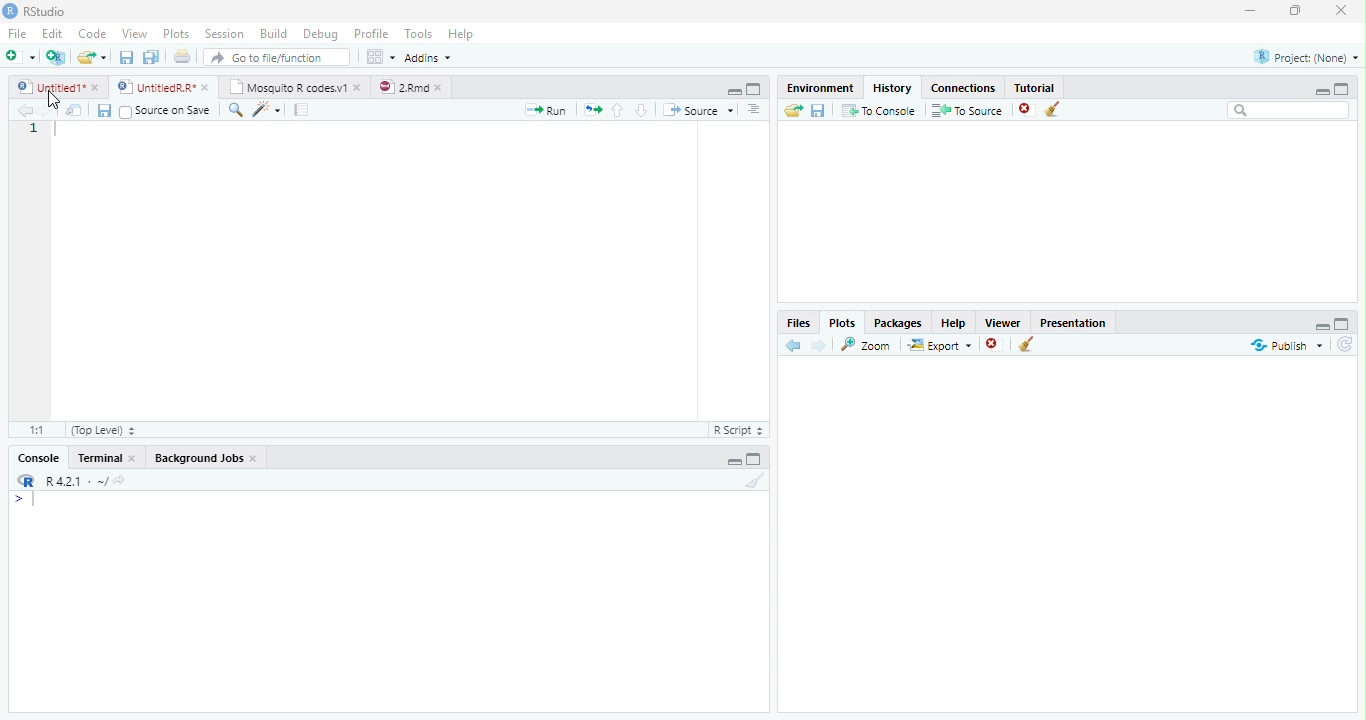  What do you see at coordinates (177, 32) in the screenshot?
I see `Plots` at bounding box center [177, 32].